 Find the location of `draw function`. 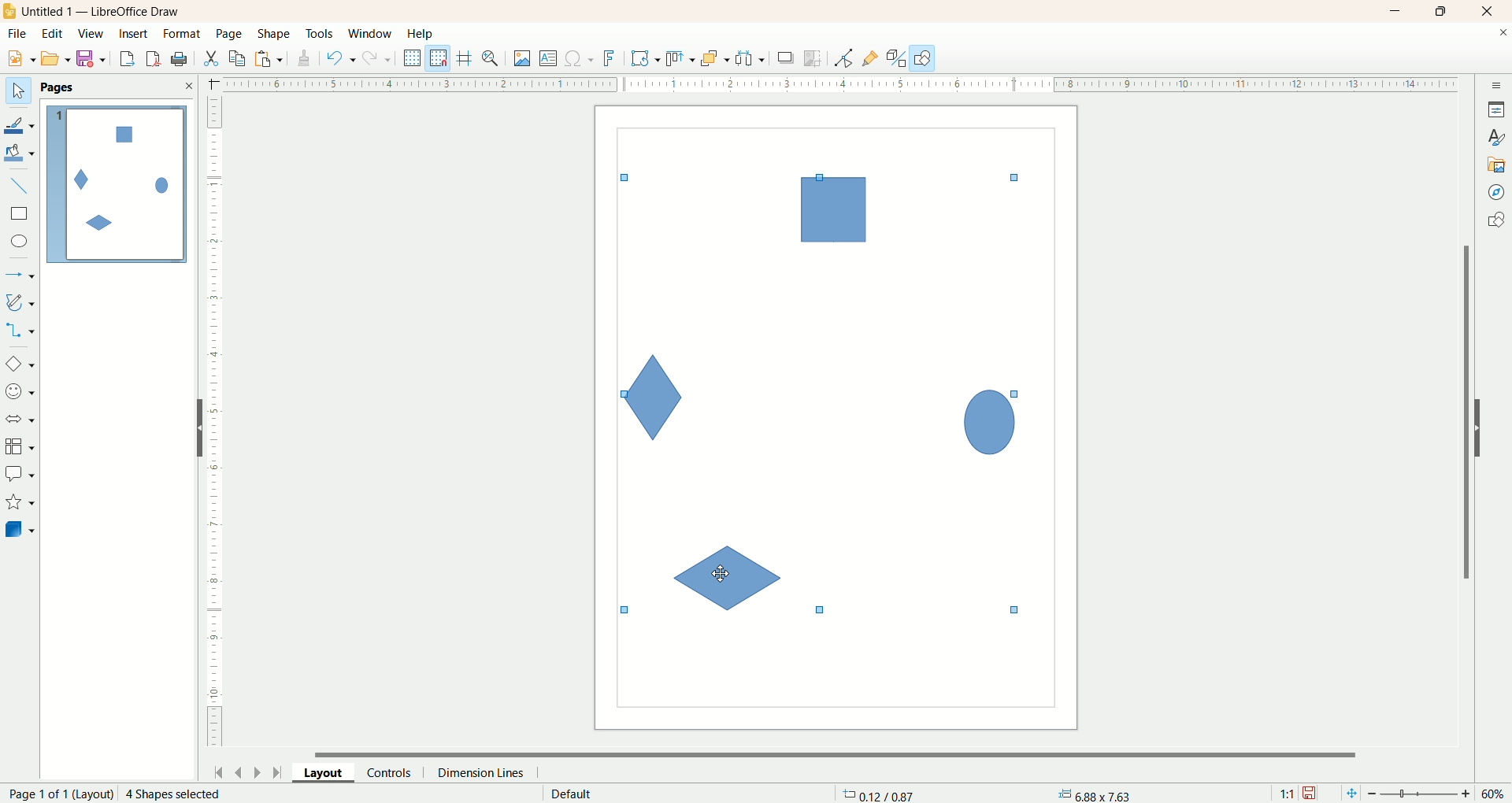

draw function is located at coordinates (923, 57).